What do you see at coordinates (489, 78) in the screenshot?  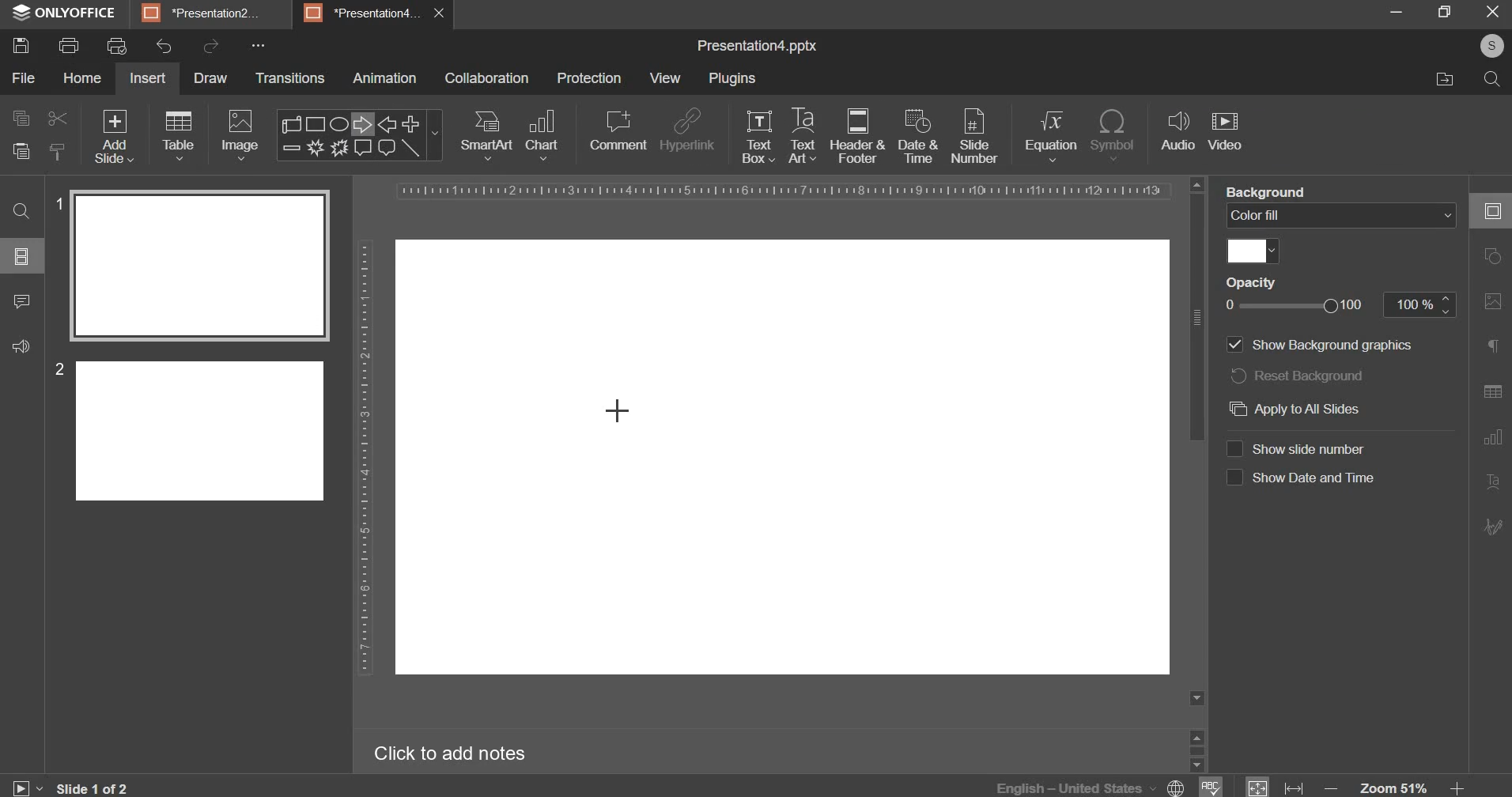 I see `collaboration` at bounding box center [489, 78].